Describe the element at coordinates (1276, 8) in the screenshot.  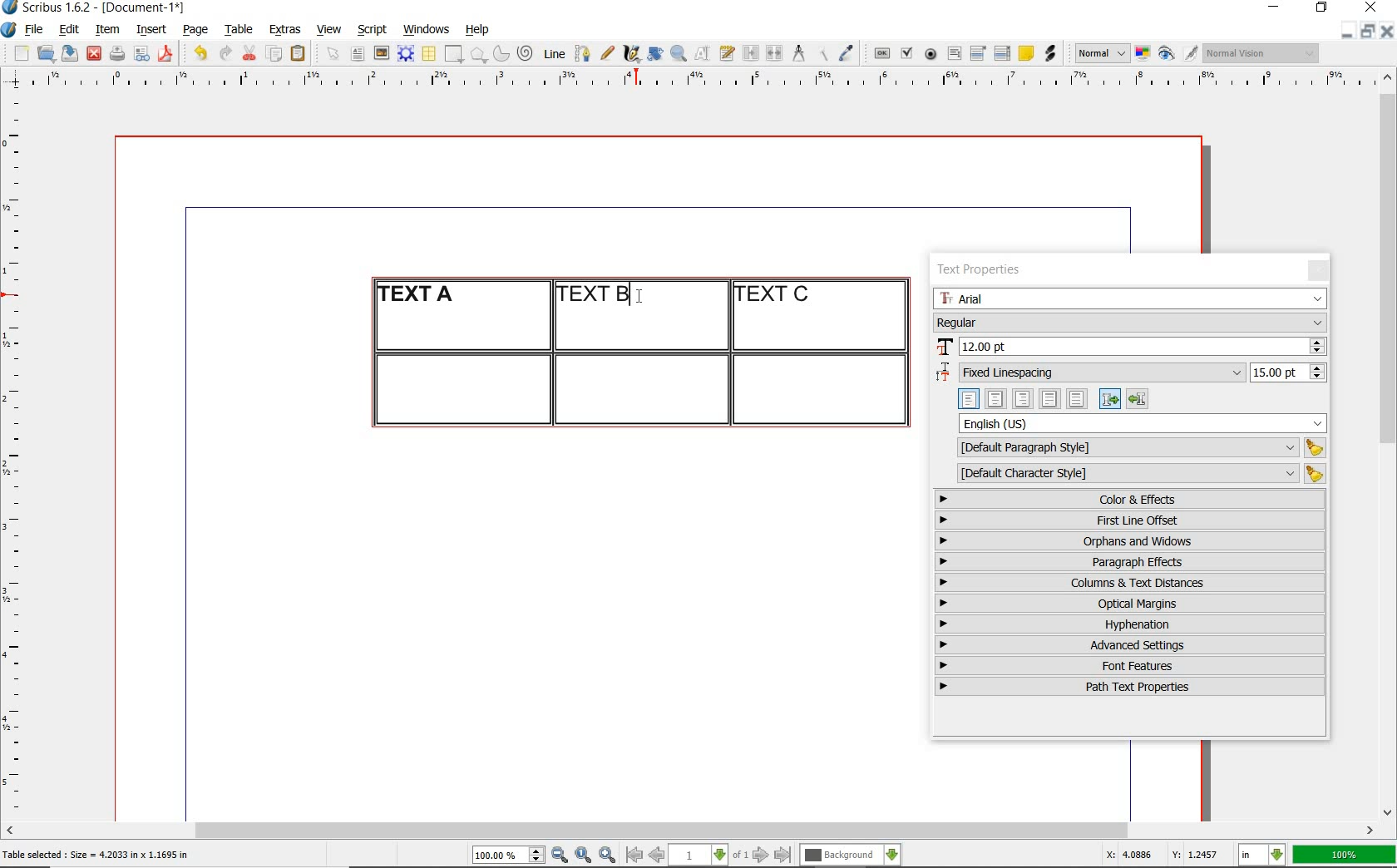
I see `minimize` at that location.